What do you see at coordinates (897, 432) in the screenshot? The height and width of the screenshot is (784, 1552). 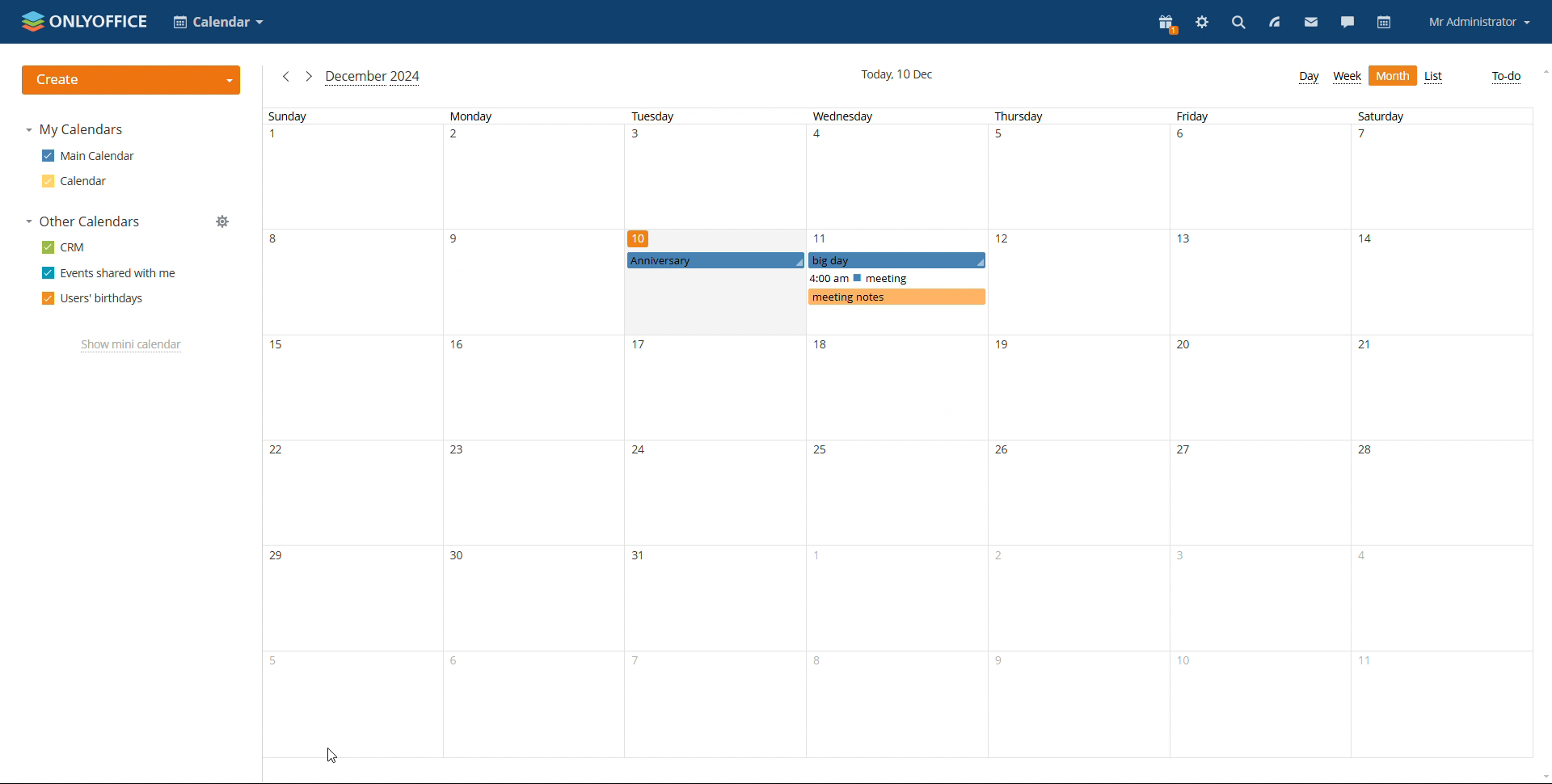 I see `wednesday` at bounding box center [897, 432].